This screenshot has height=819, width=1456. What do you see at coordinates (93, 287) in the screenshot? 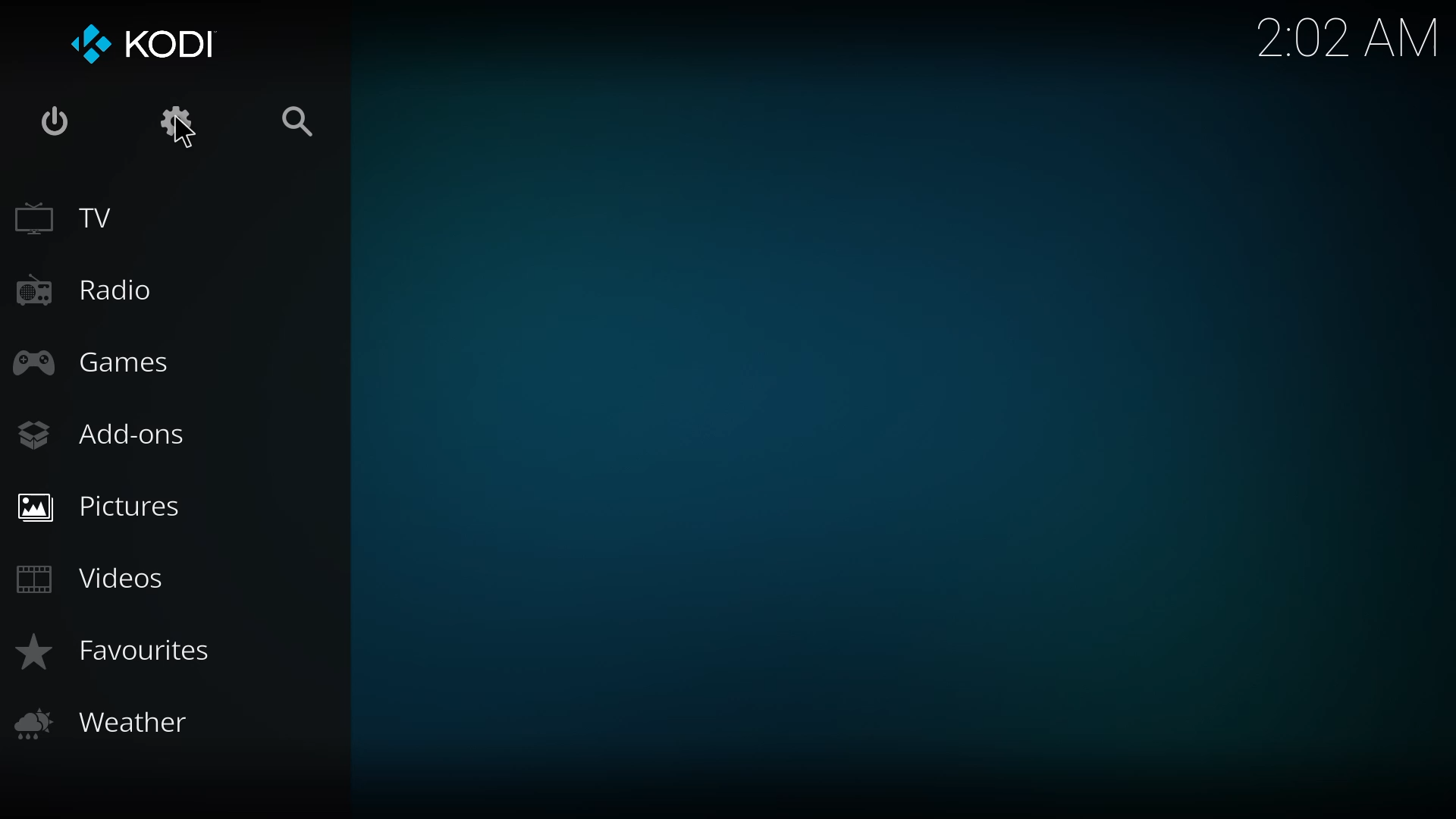
I see `radio` at bounding box center [93, 287].